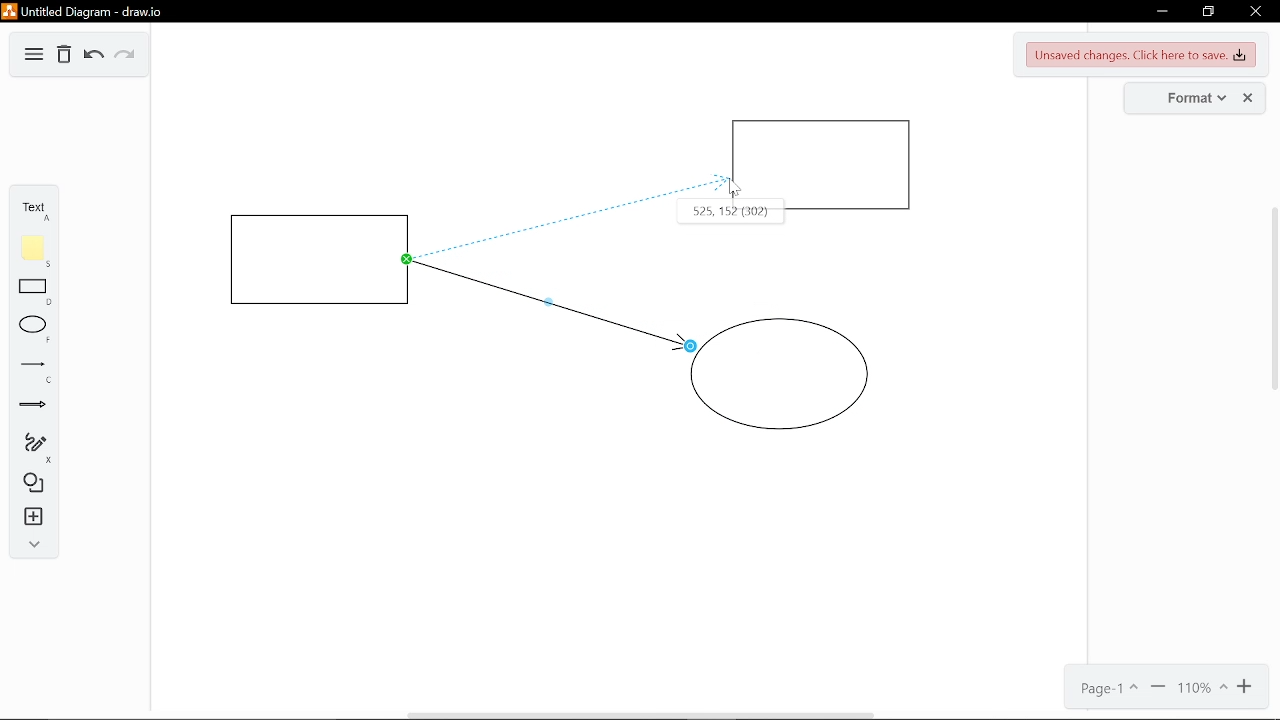  Describe the element at coordinates (34, 330) in the screenshot. I see `Ellipse` at that location.